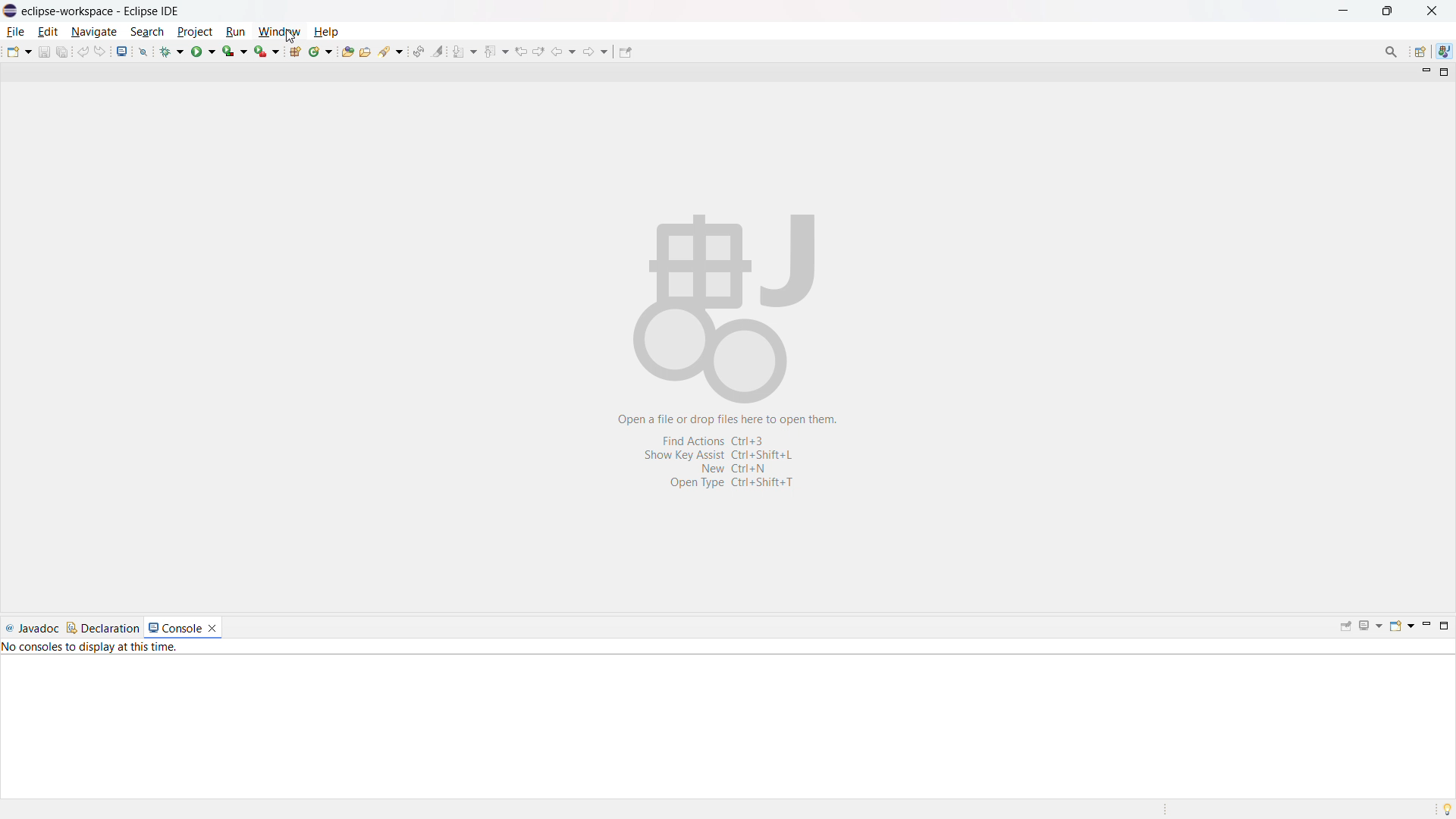  I want to click on access commands and other items, so click(1390, 52).